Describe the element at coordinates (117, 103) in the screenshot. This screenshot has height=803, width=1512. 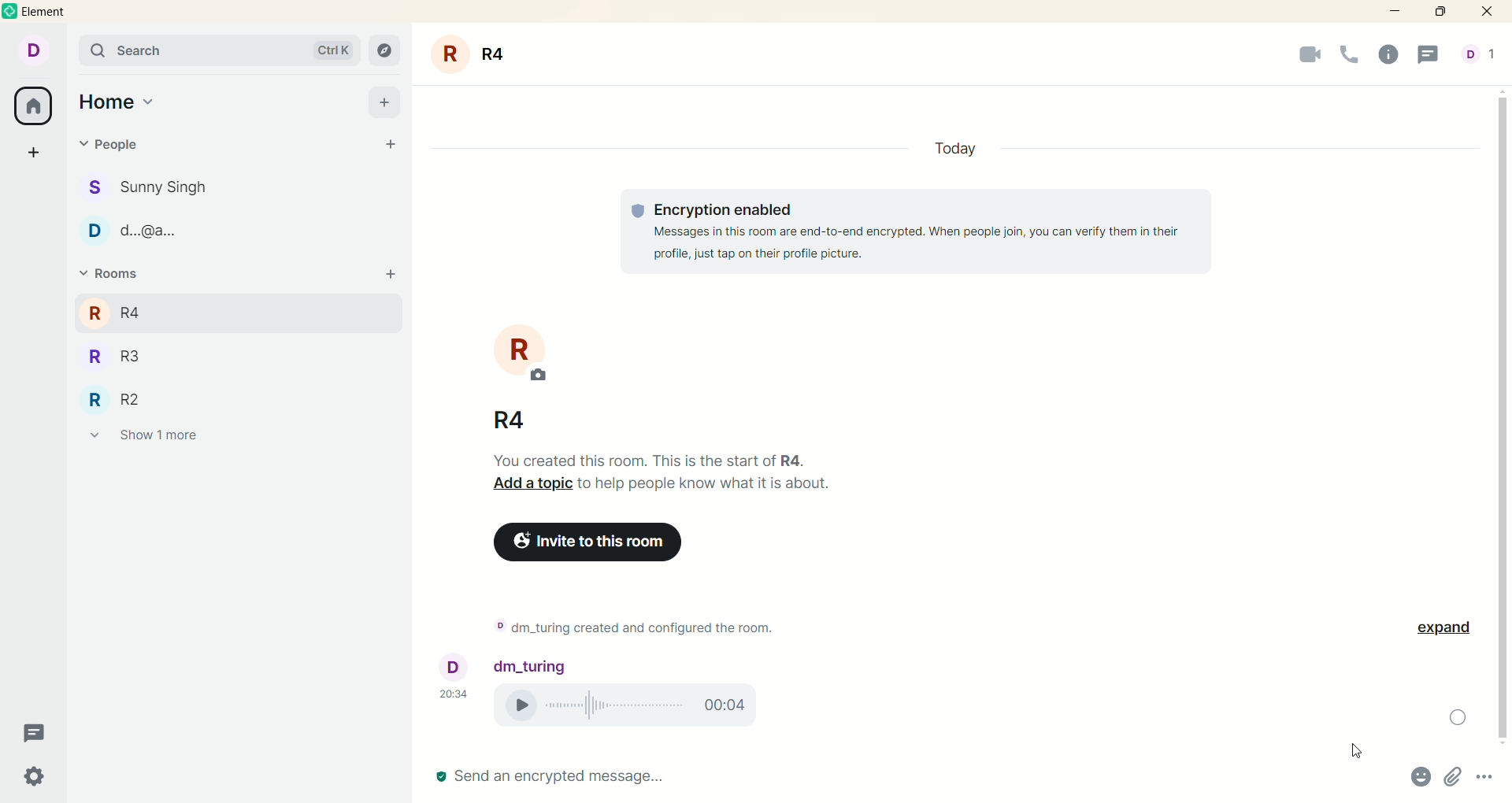
I see `home` at that location.